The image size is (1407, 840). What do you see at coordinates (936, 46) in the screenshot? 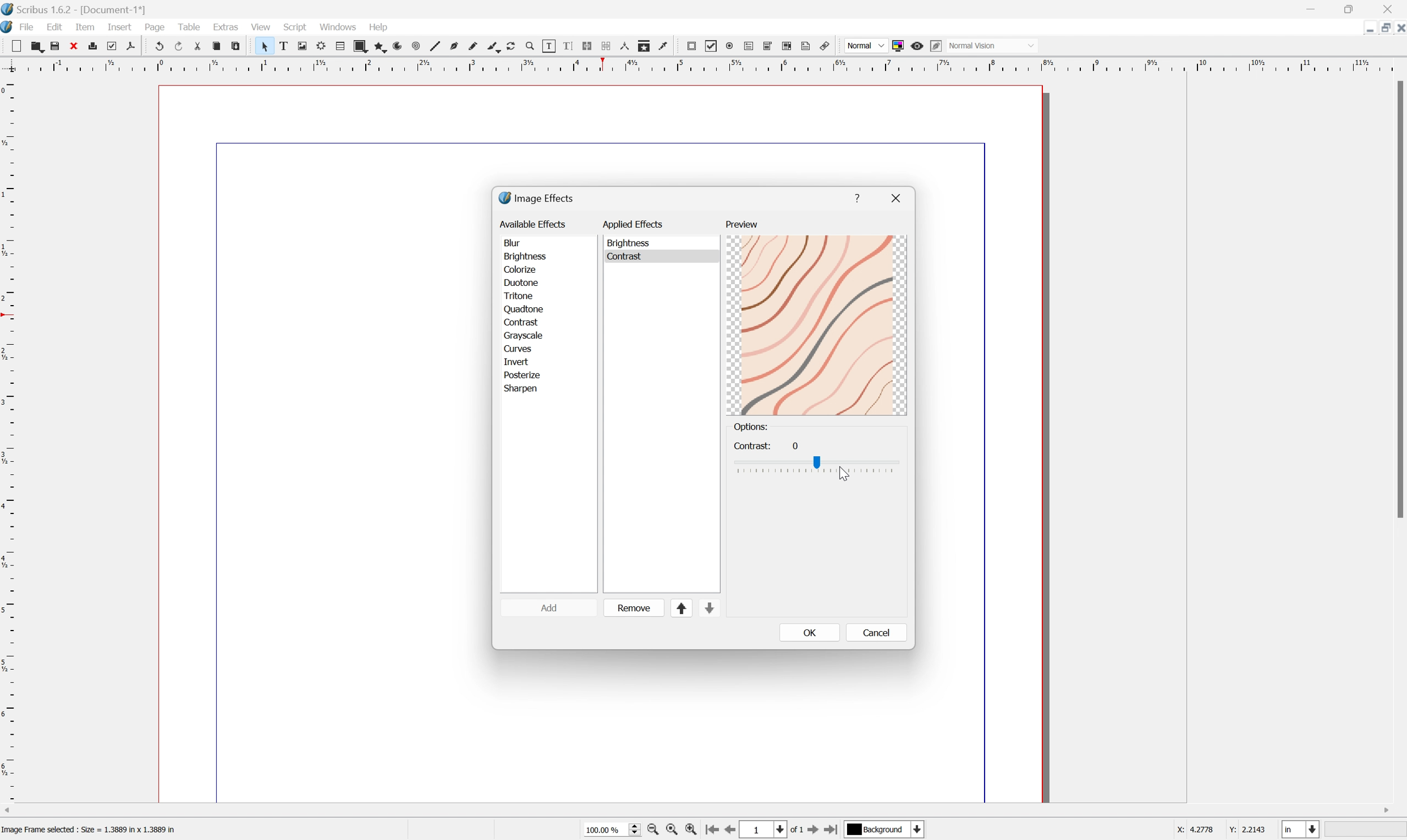
I see `Edit in preview mode` at bounding box center [936, 46].